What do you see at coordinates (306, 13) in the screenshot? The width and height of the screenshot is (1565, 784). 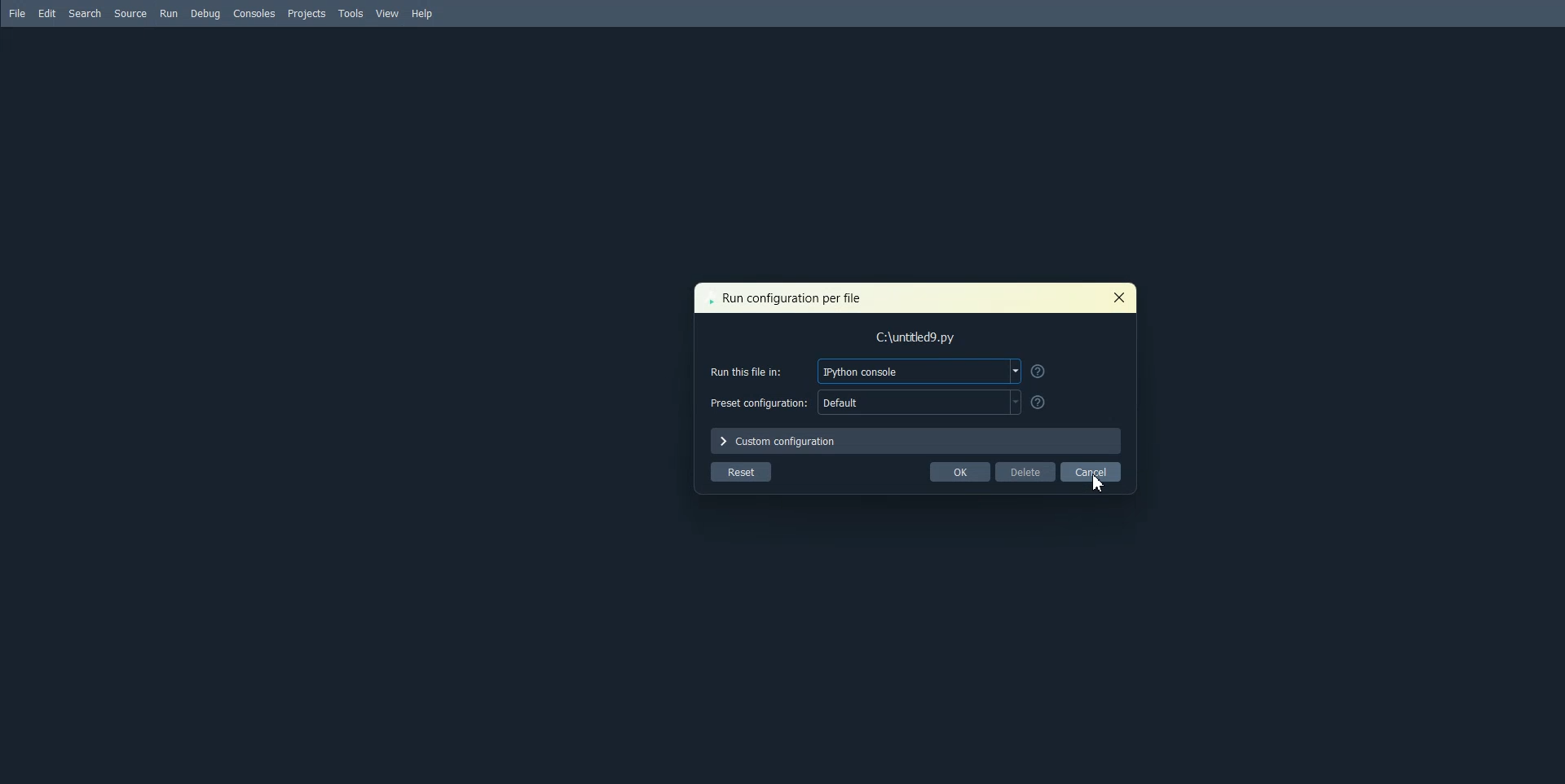 I see `Projects` at bounding box center [306, 13].